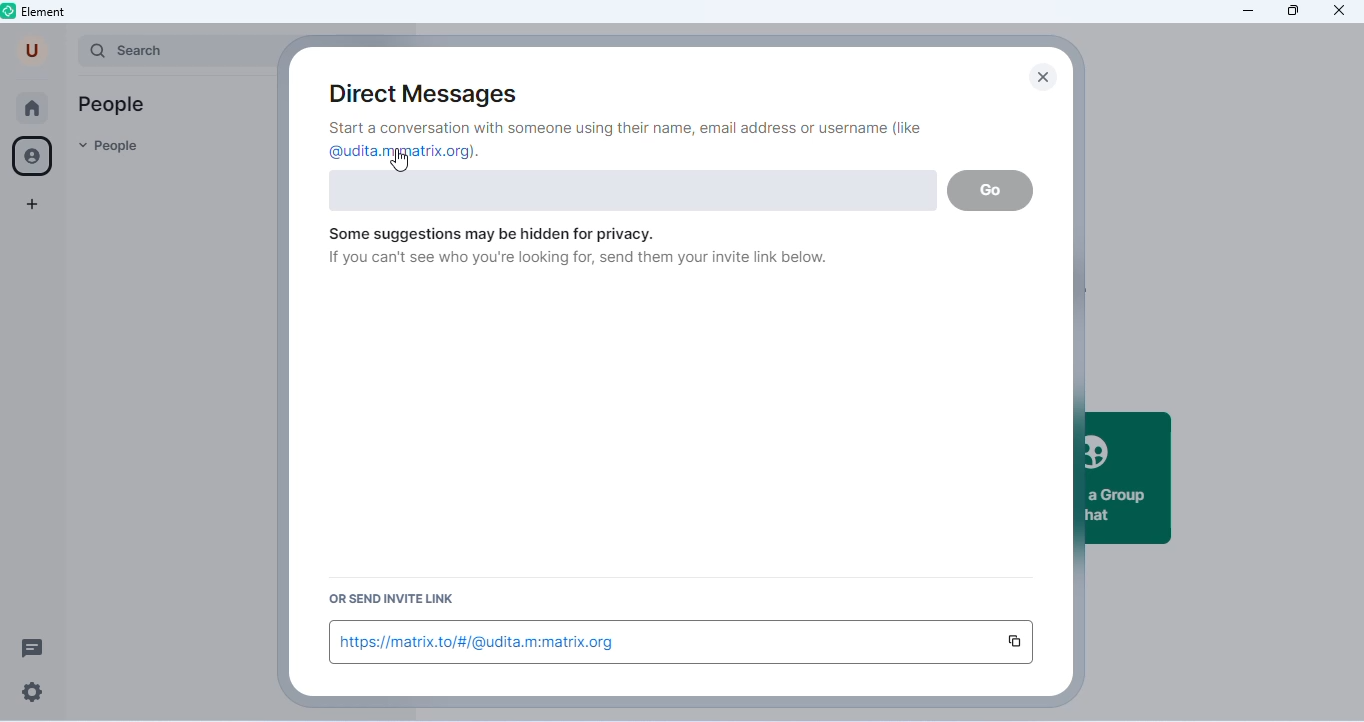 This screenshot has height=722, width=1364. I want to click on search, so click(172, 50).